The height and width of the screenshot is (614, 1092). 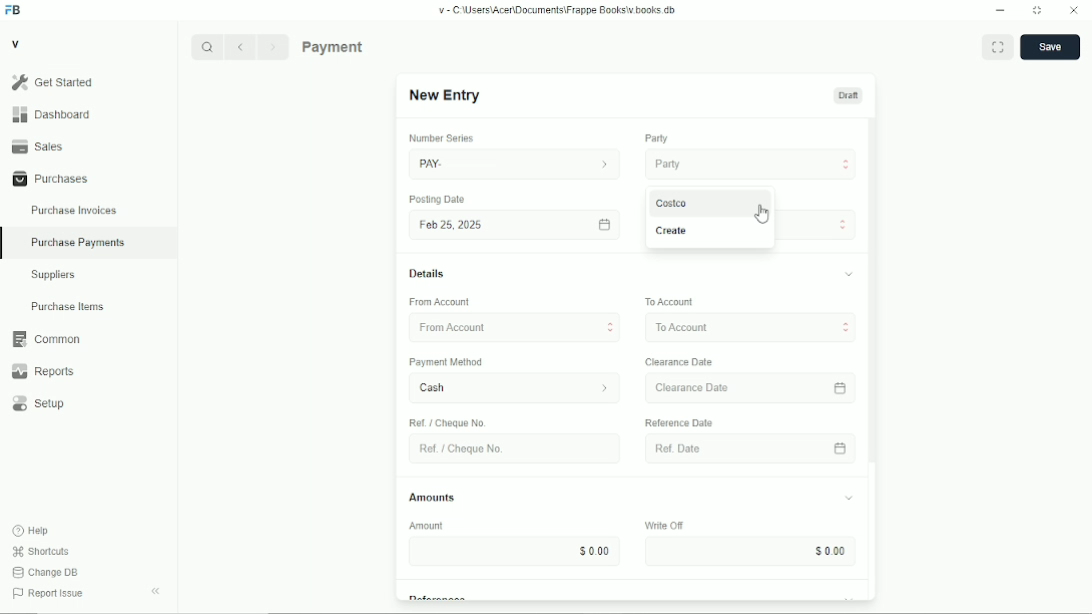 What do you see at coordinates (747, 328) in the screenshot?
I see `To Account` at bounding box center [747, 328].